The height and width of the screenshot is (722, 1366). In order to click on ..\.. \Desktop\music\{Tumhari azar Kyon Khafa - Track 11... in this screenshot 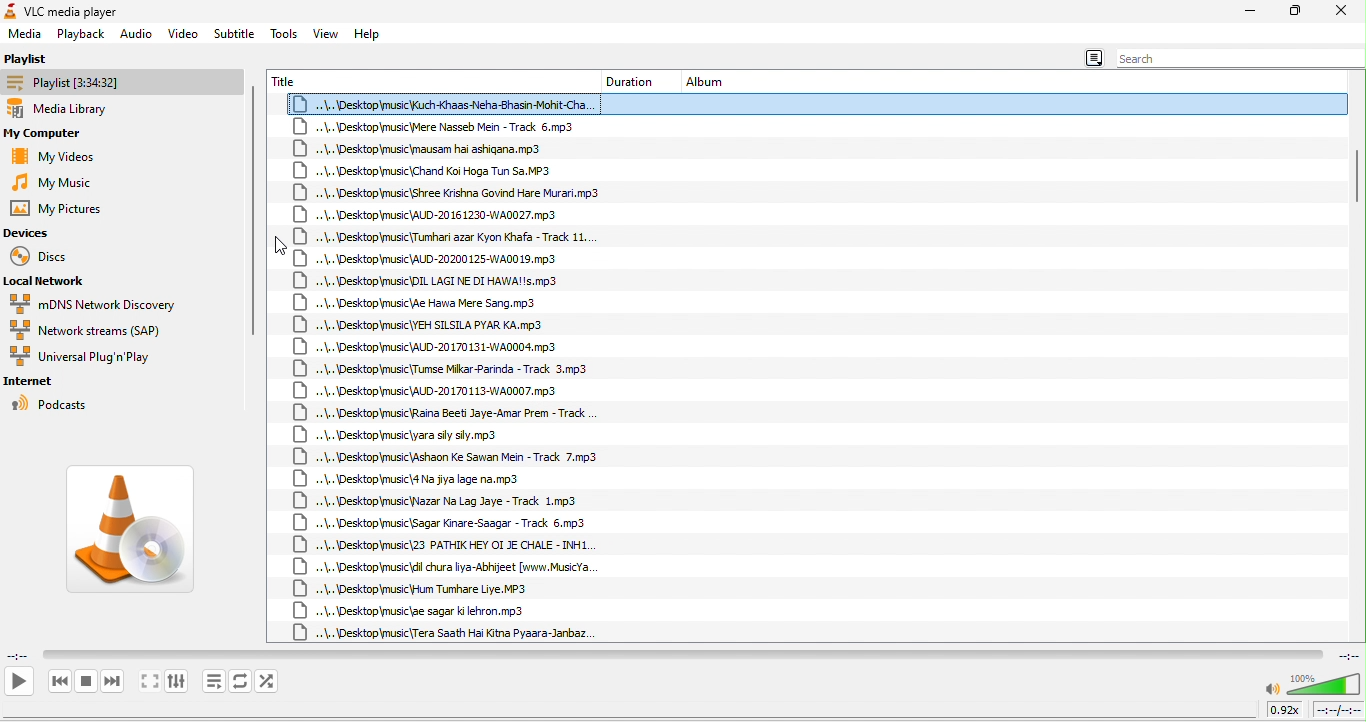, I will do `click(446, 236)`.